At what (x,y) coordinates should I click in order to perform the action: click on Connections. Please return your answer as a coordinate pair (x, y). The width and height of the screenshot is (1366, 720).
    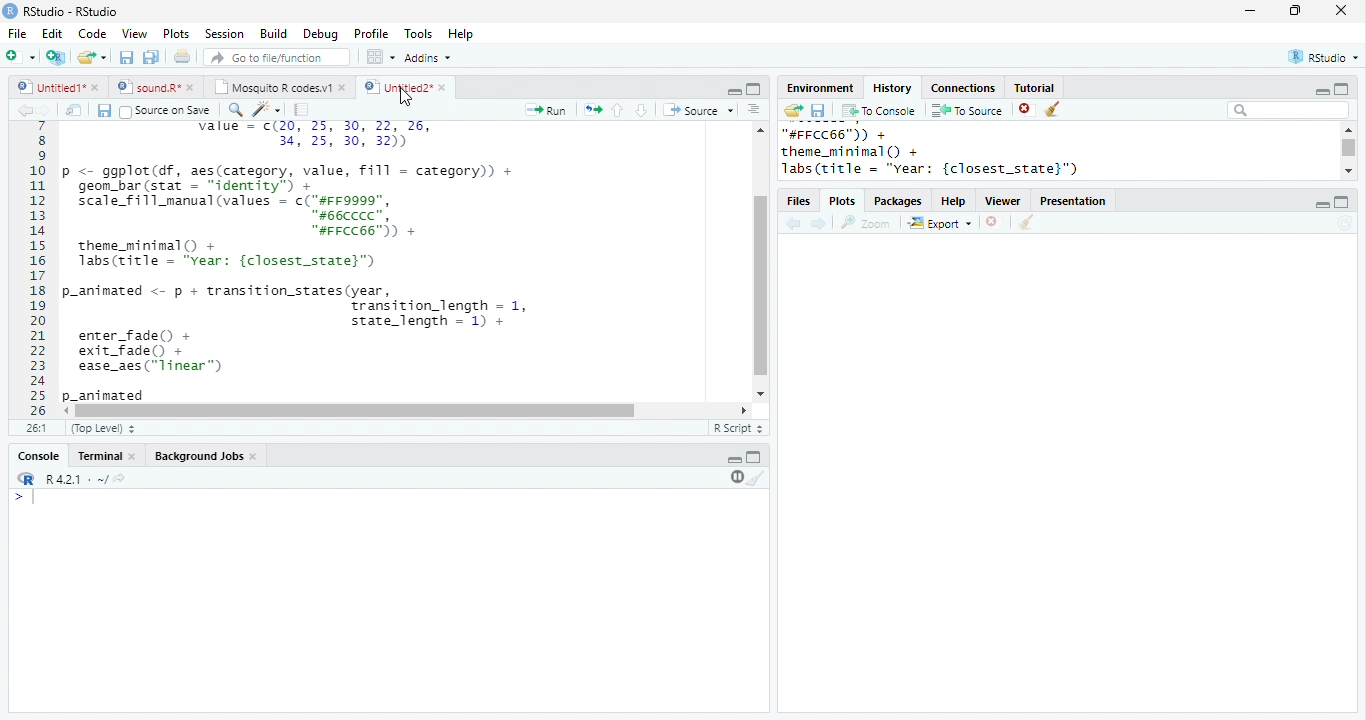
    Looking at the image, I should click on (965, 88).